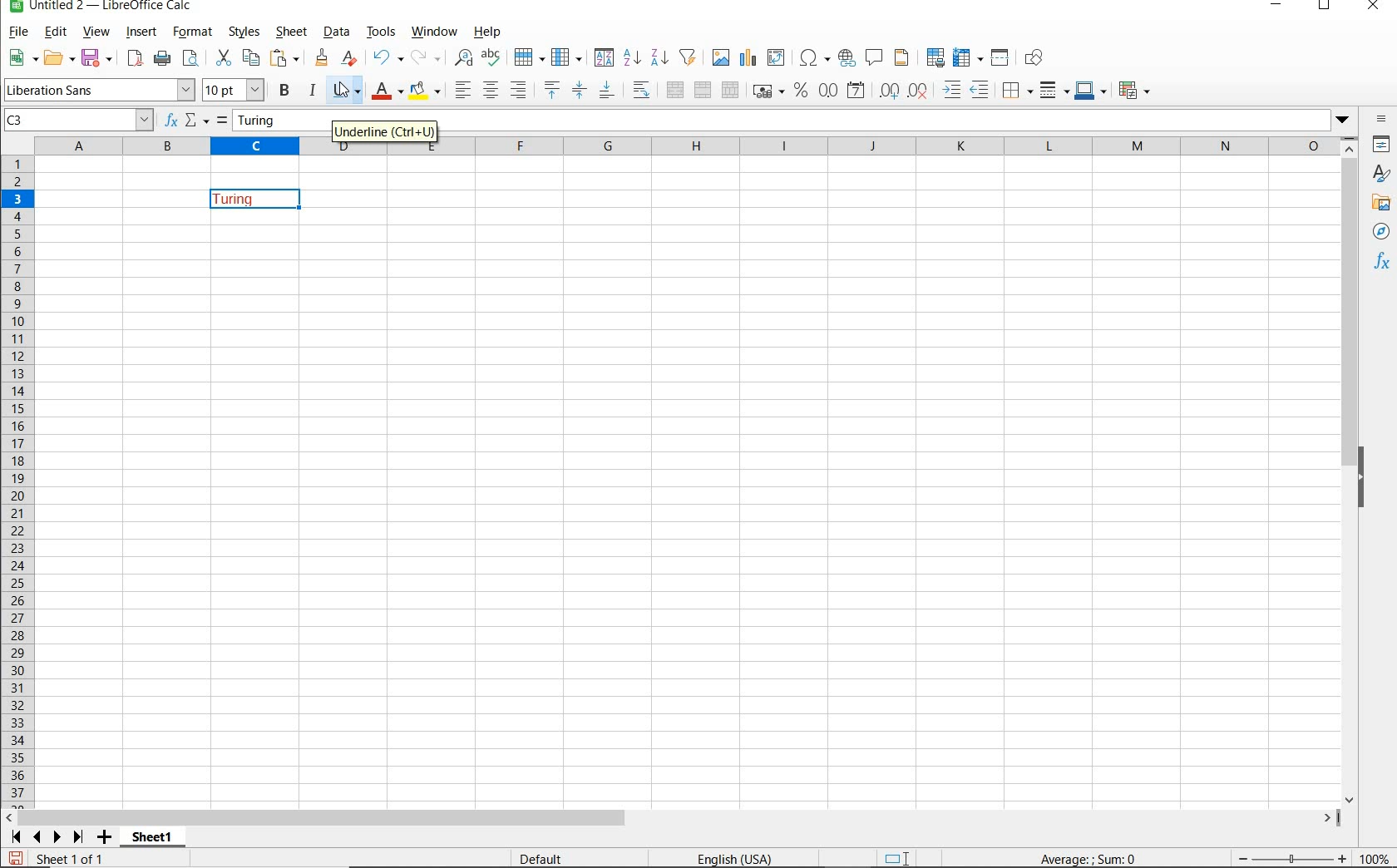 The height and width of the screenshot is (868, 1397). I want to click on CLEAR FORMATTING, so click(323, 59).